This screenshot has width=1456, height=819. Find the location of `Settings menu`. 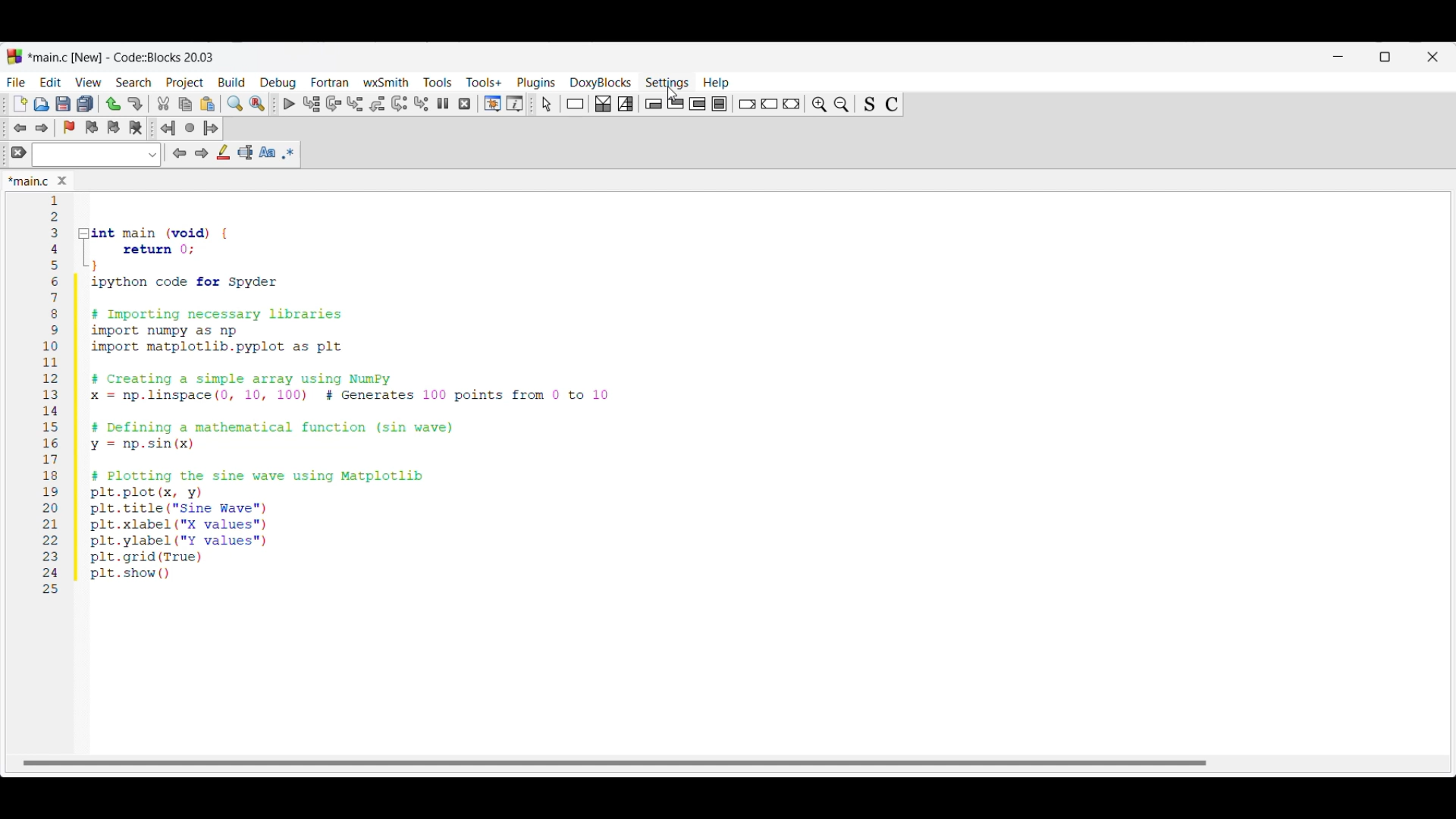

Settings menu is located at coordinates (667, 83).